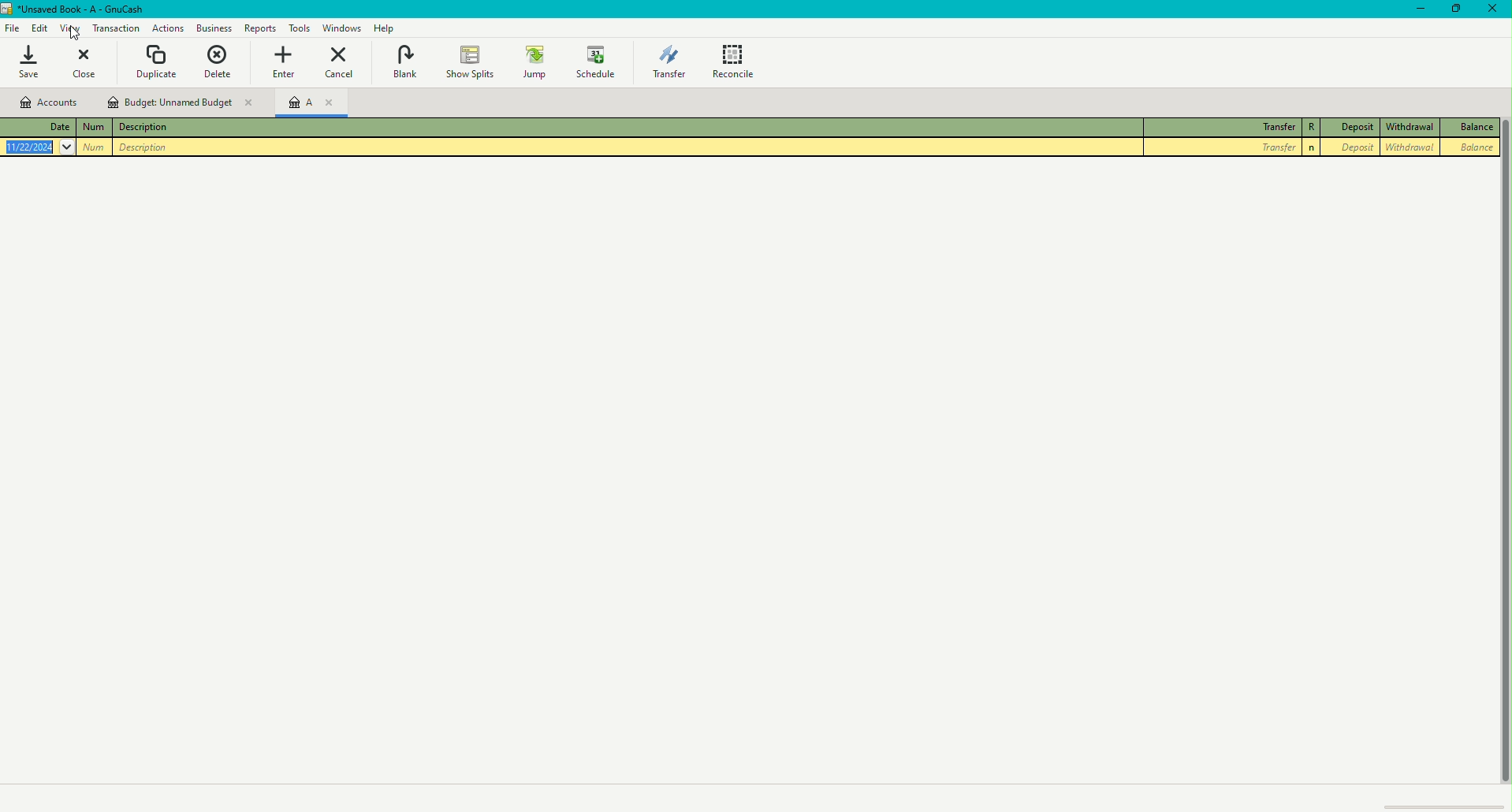 Image resolution: width=1512 pixels, height=812 pixels. Describe the element at coordinates (1472, 148) in the screenshot. I see `Balance` at that location.